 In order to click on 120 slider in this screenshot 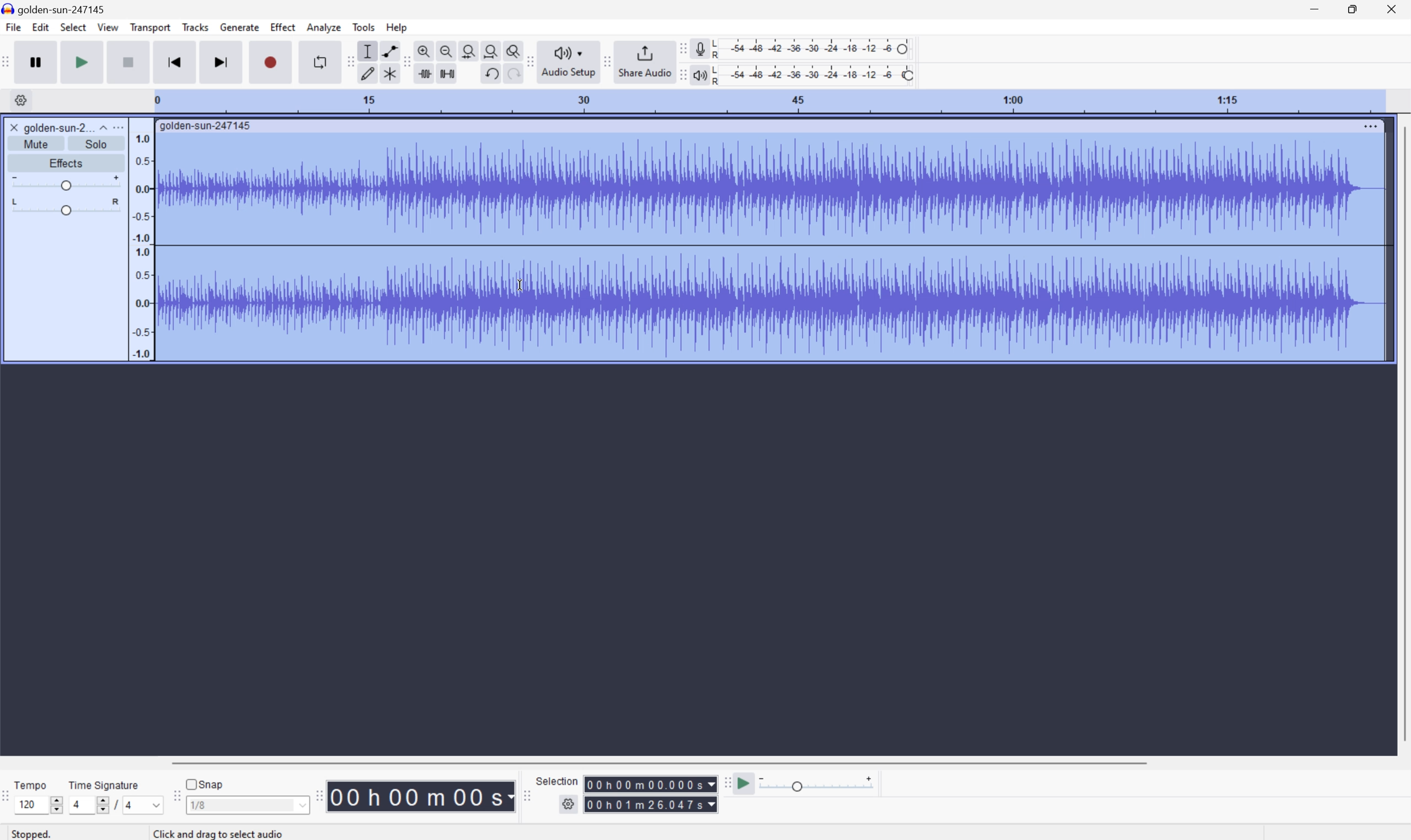, I will do `click(41, 804)`.